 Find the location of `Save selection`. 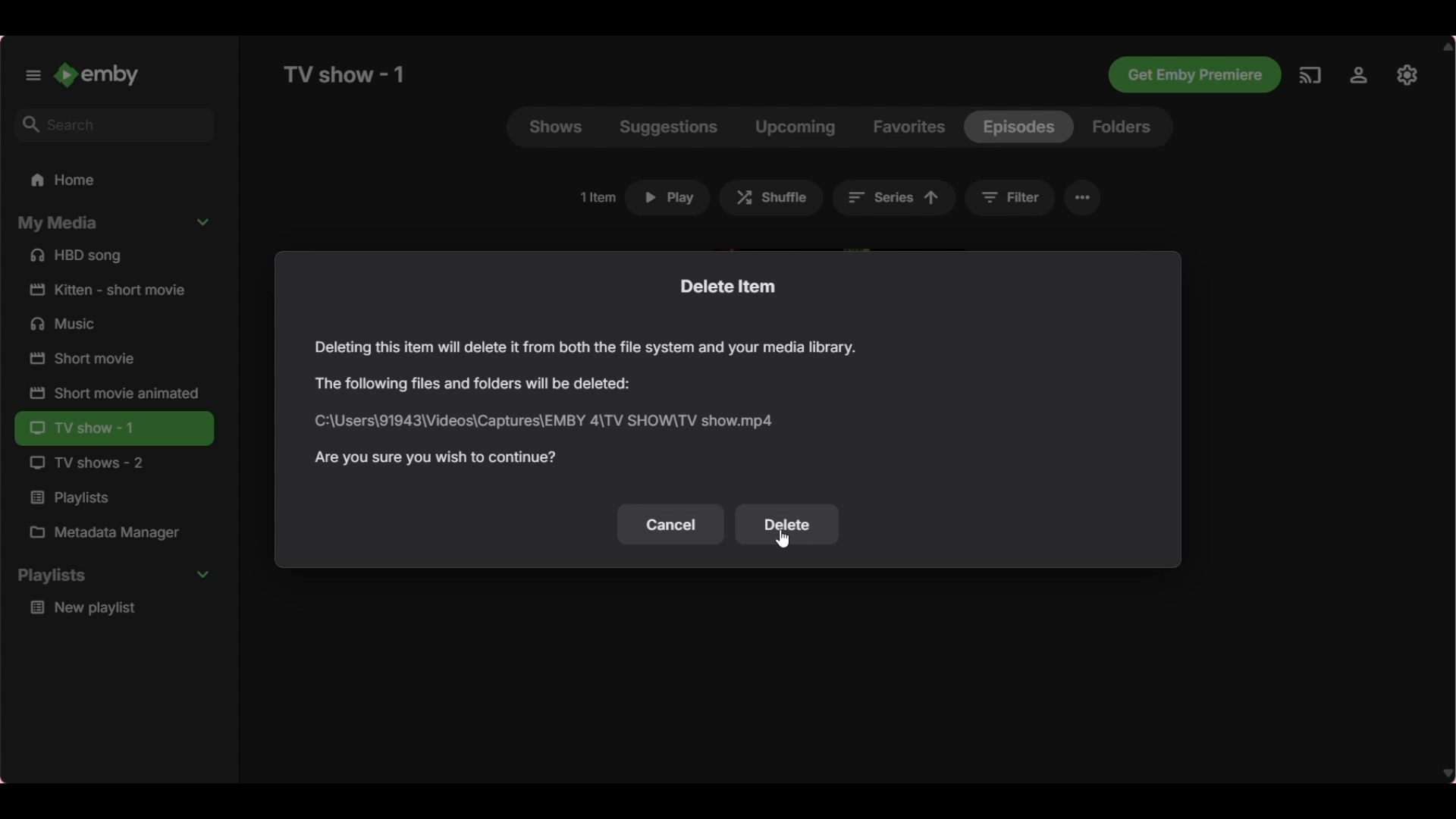

Save selection is located at coordinates (786, 525).